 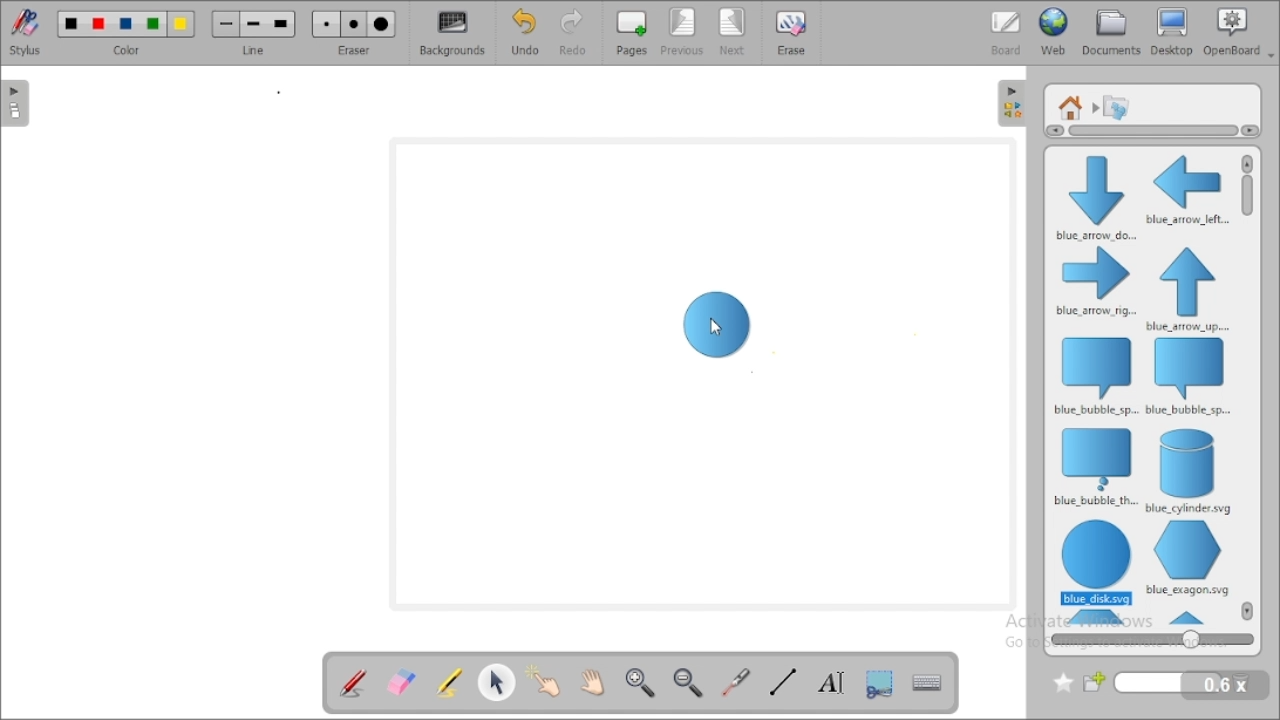 I want to click on horizontal scroll bar, so click(x=1148, y=131).